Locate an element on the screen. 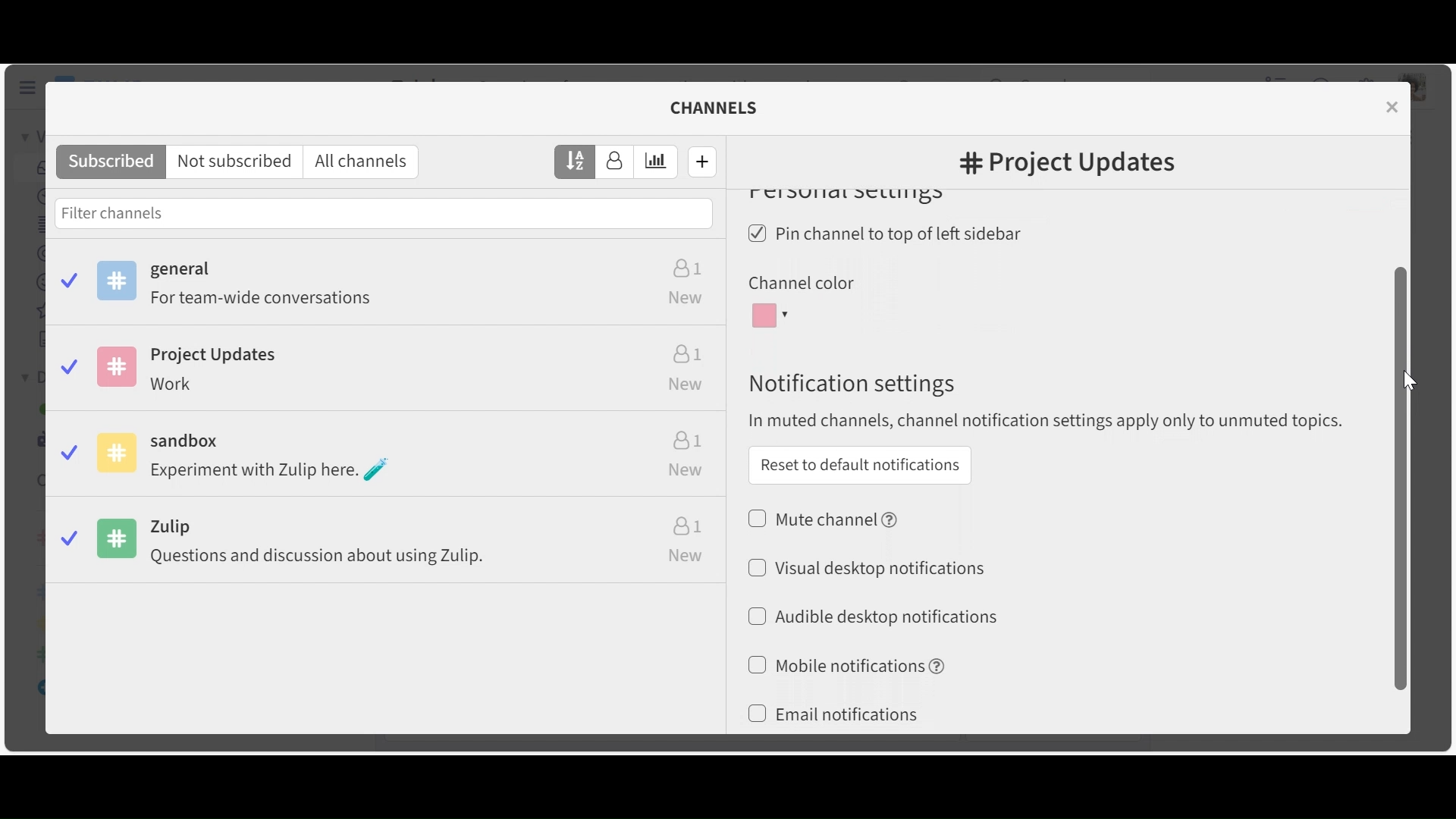 The height and width of the screenshot is (819, 1456). Vertical Scrollbar is located at coordinates (1401, 476).